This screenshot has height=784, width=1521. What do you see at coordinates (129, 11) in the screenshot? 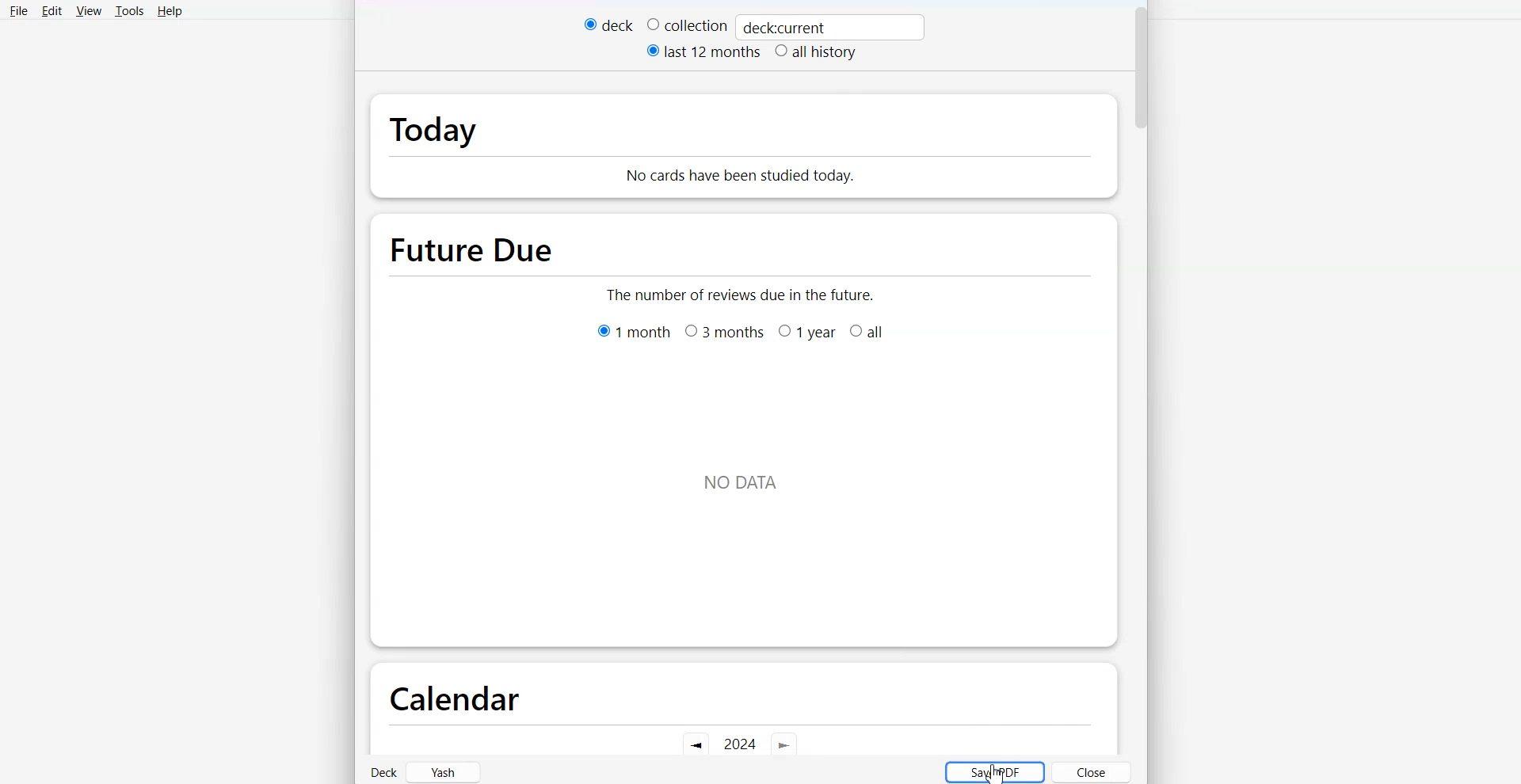
I see `Tools` at bounding box center [129, 11].